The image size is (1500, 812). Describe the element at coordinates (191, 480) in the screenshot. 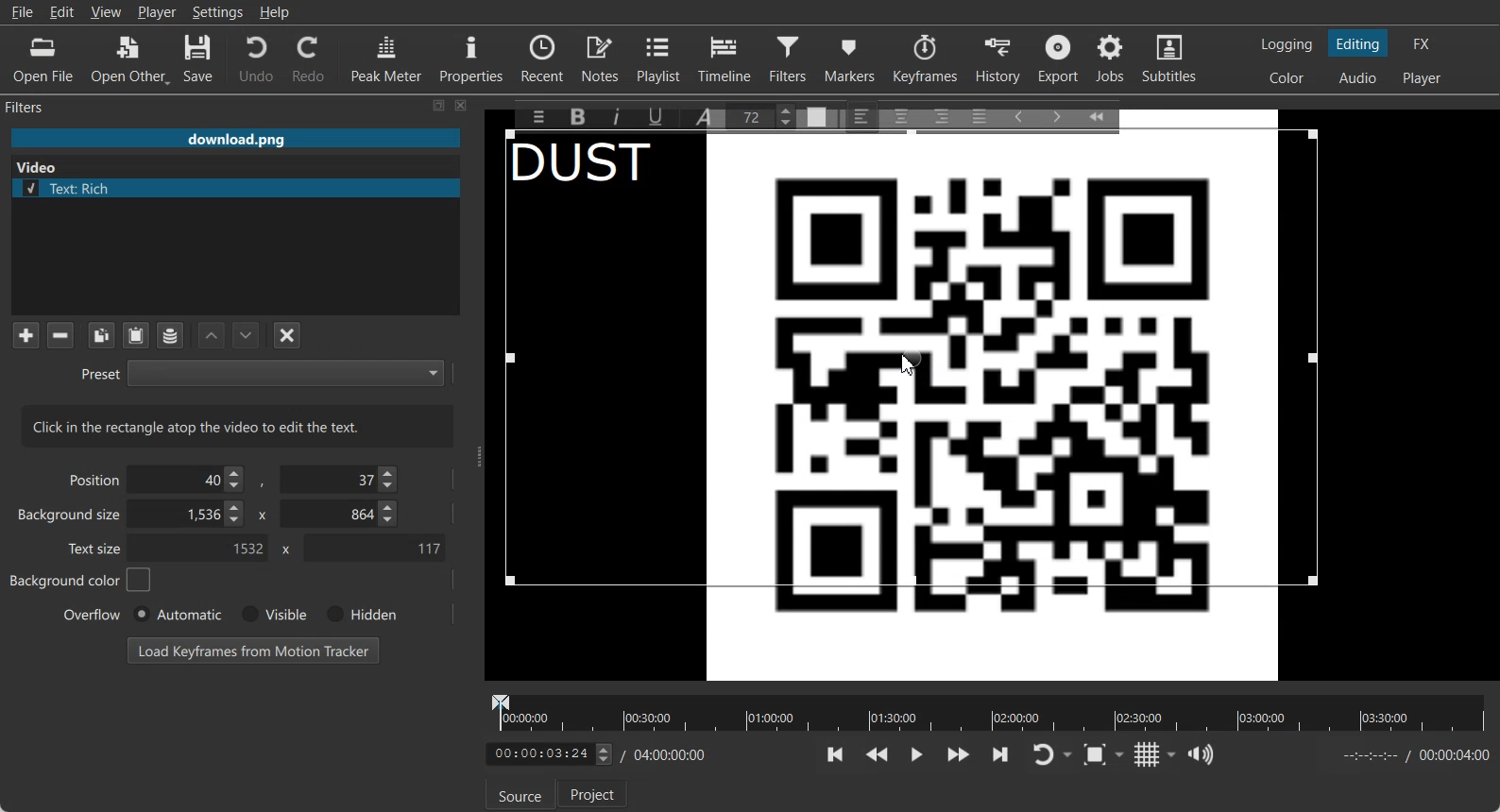

I see `Position Adjuster X- Coordinate` at that location.